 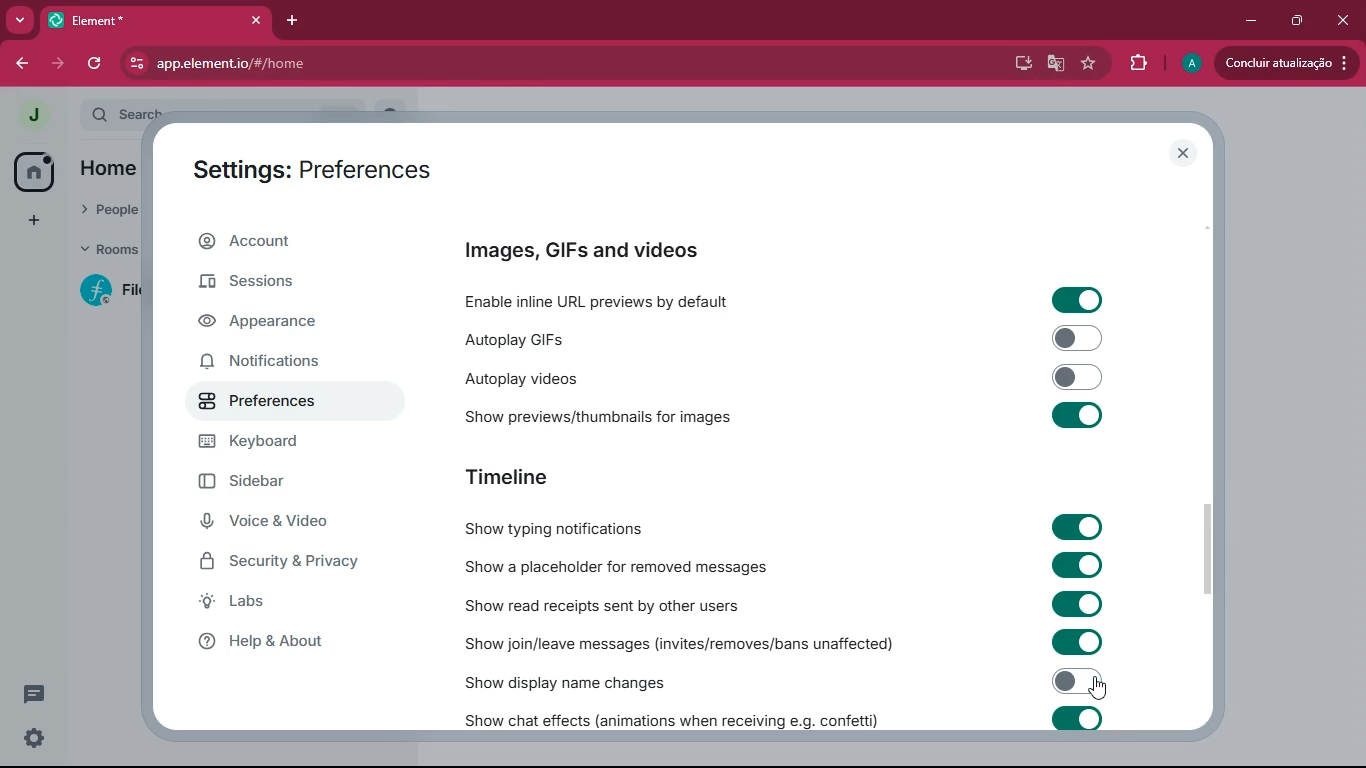 I want to click on toggled off, so click(x=1079, y=680).